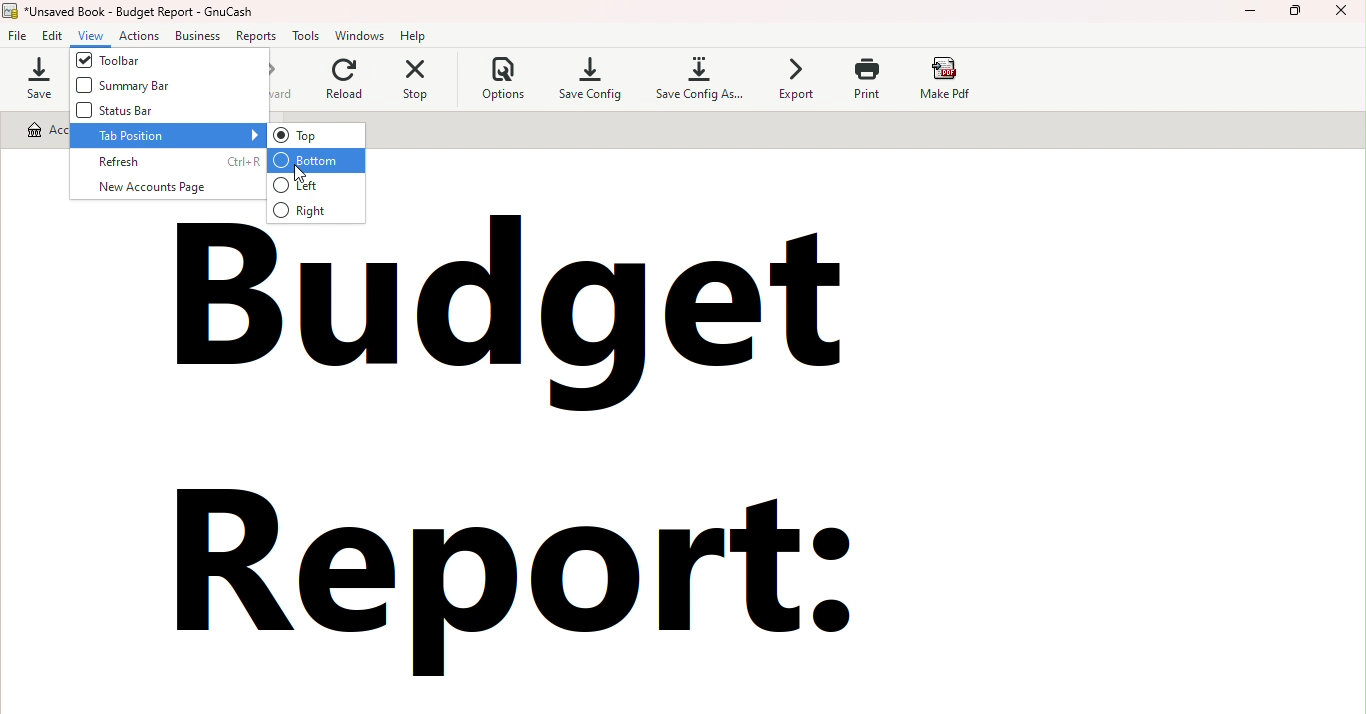 The width and height of the screenshot is (1366, 714). Describe the element at coordinates (1249, 15) in the screenshot. I see `Minimize` at that location.